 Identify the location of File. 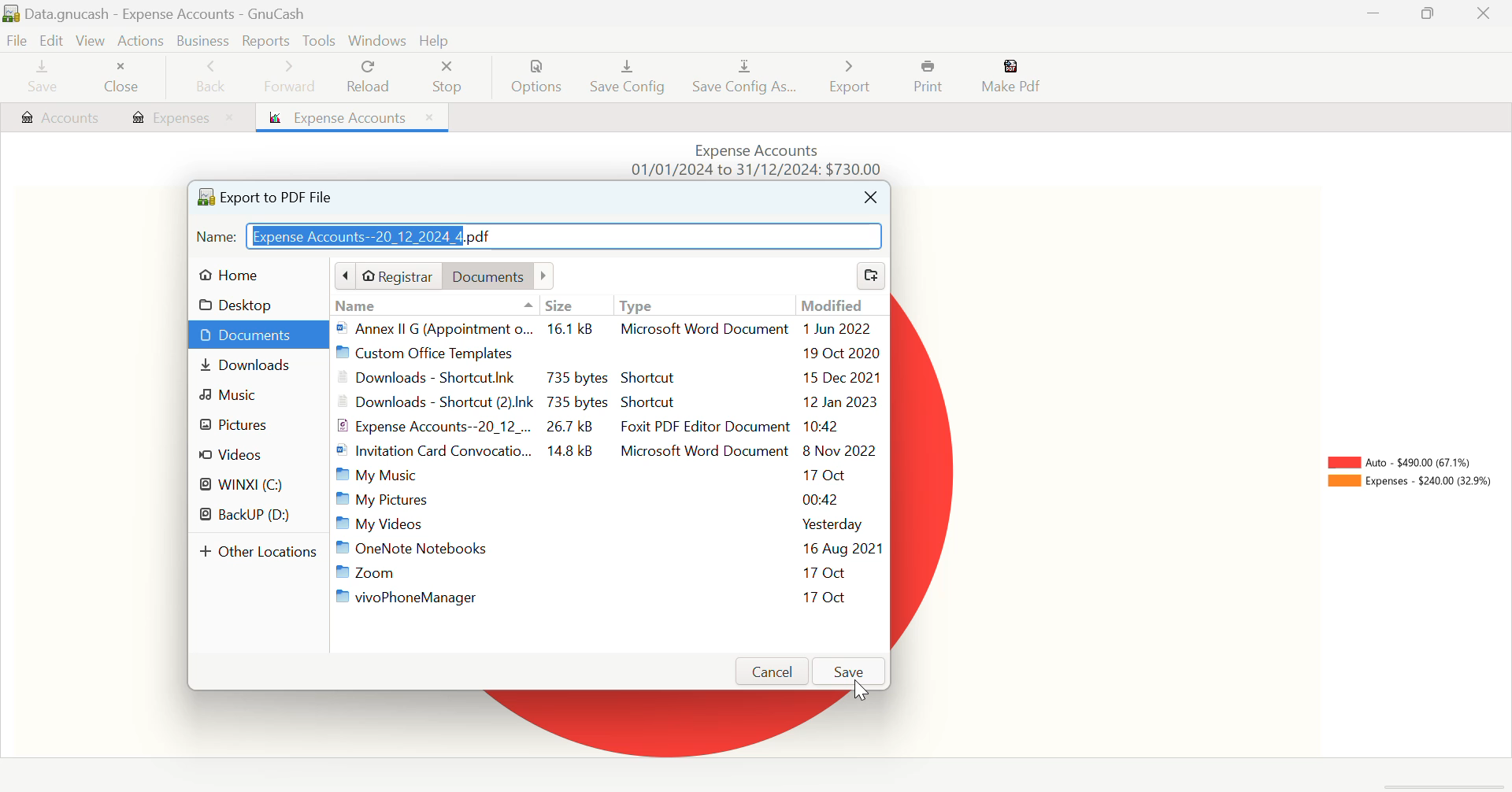
(18, 39).